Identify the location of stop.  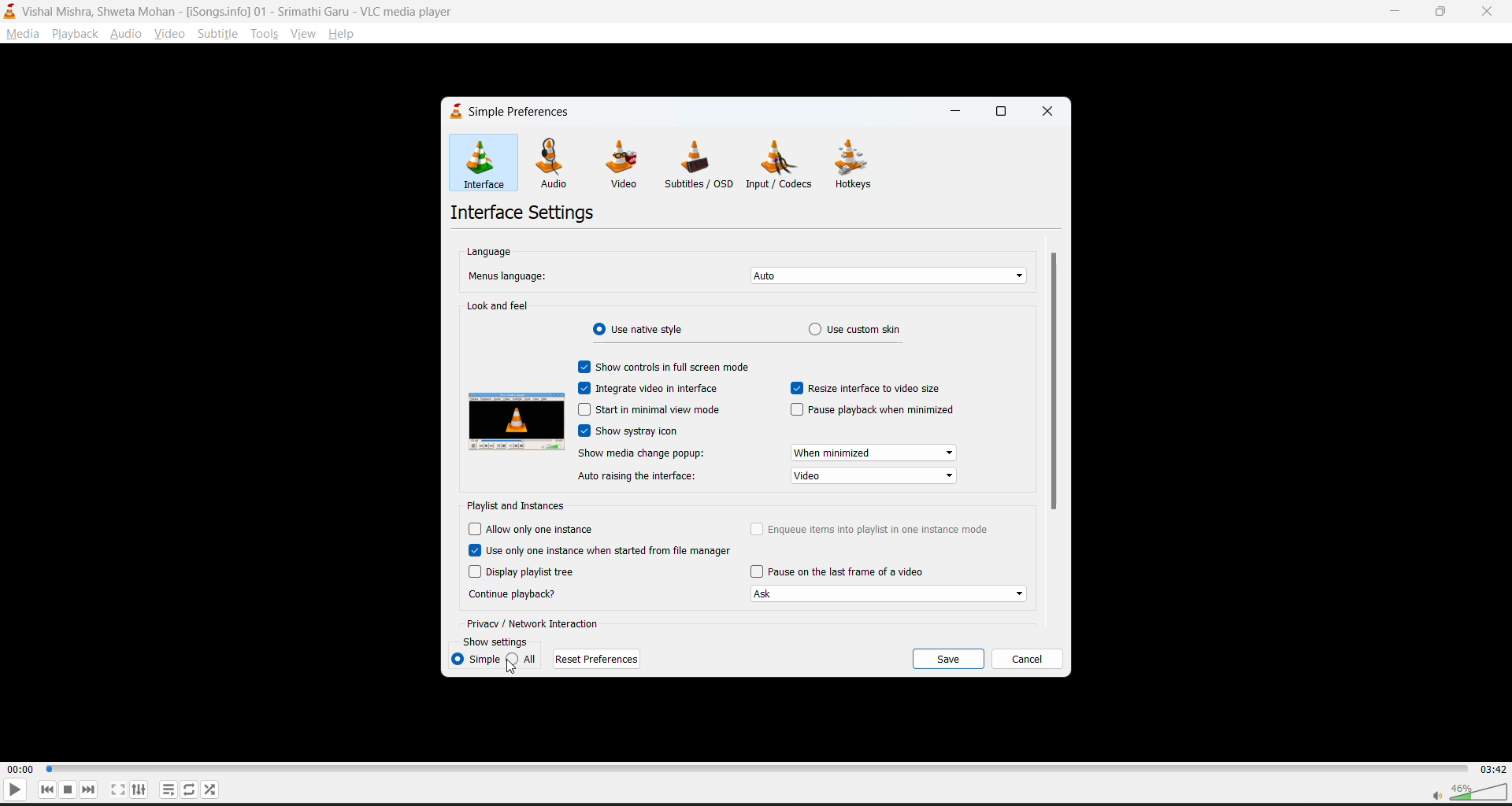
(65, 788).